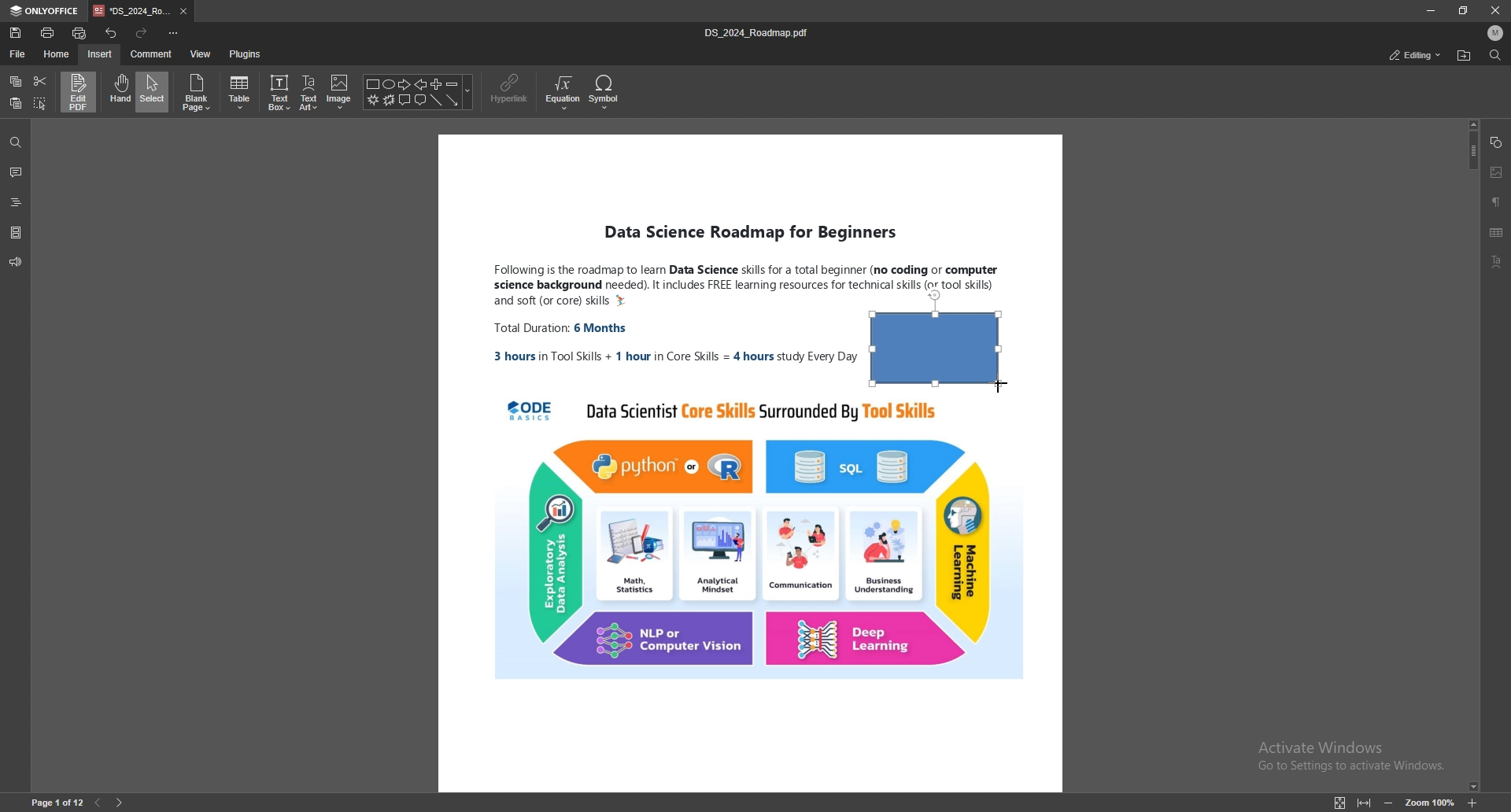  Describe the element at coordinates (242, 93) in the screenshot. I see `table` at that location.